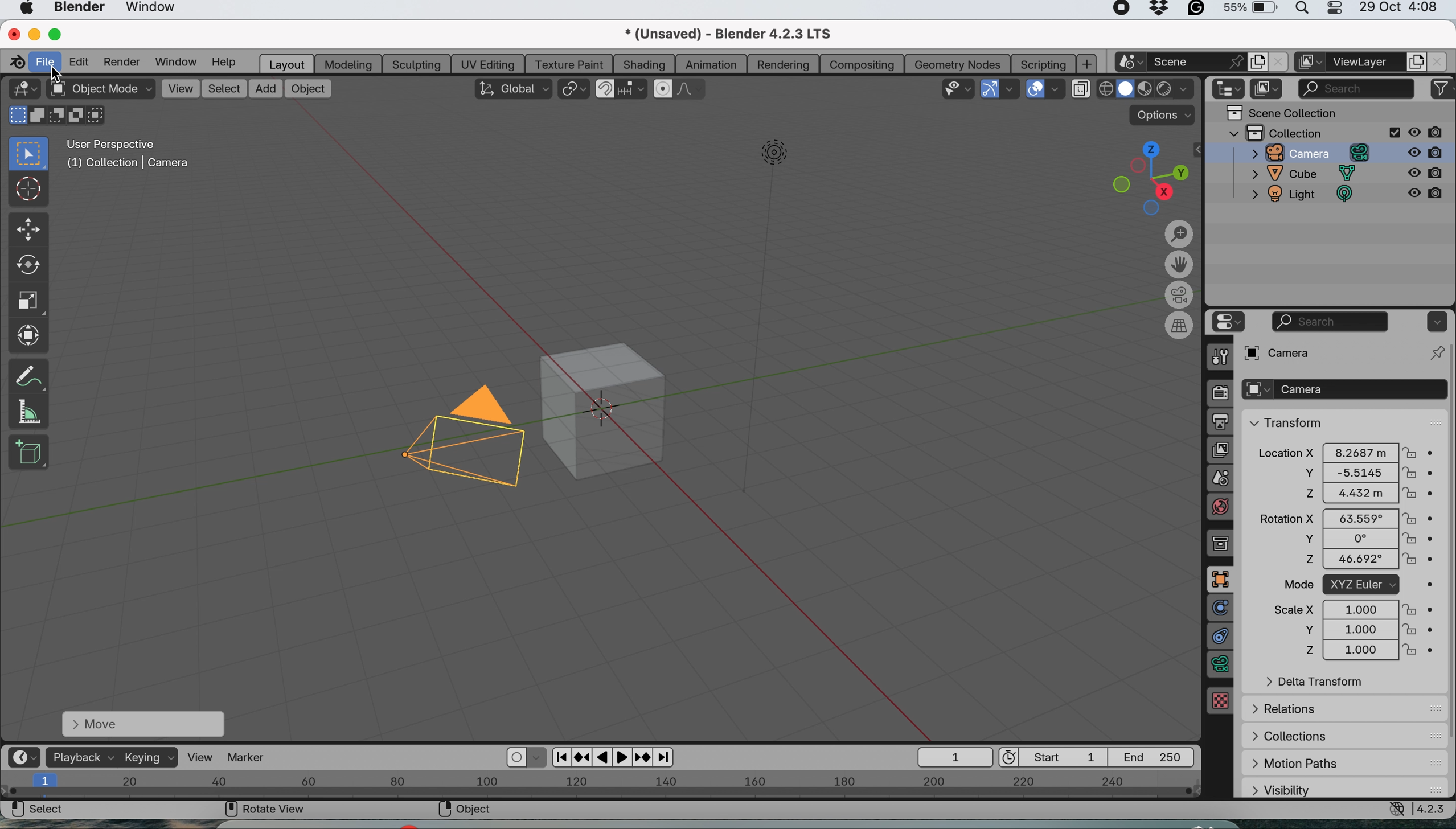 Image resolution: width=1456 pixels, height=829 pixels. Describe the element at coordinates (1428, 151) in the screenshot. I see `disable in render` at that location.